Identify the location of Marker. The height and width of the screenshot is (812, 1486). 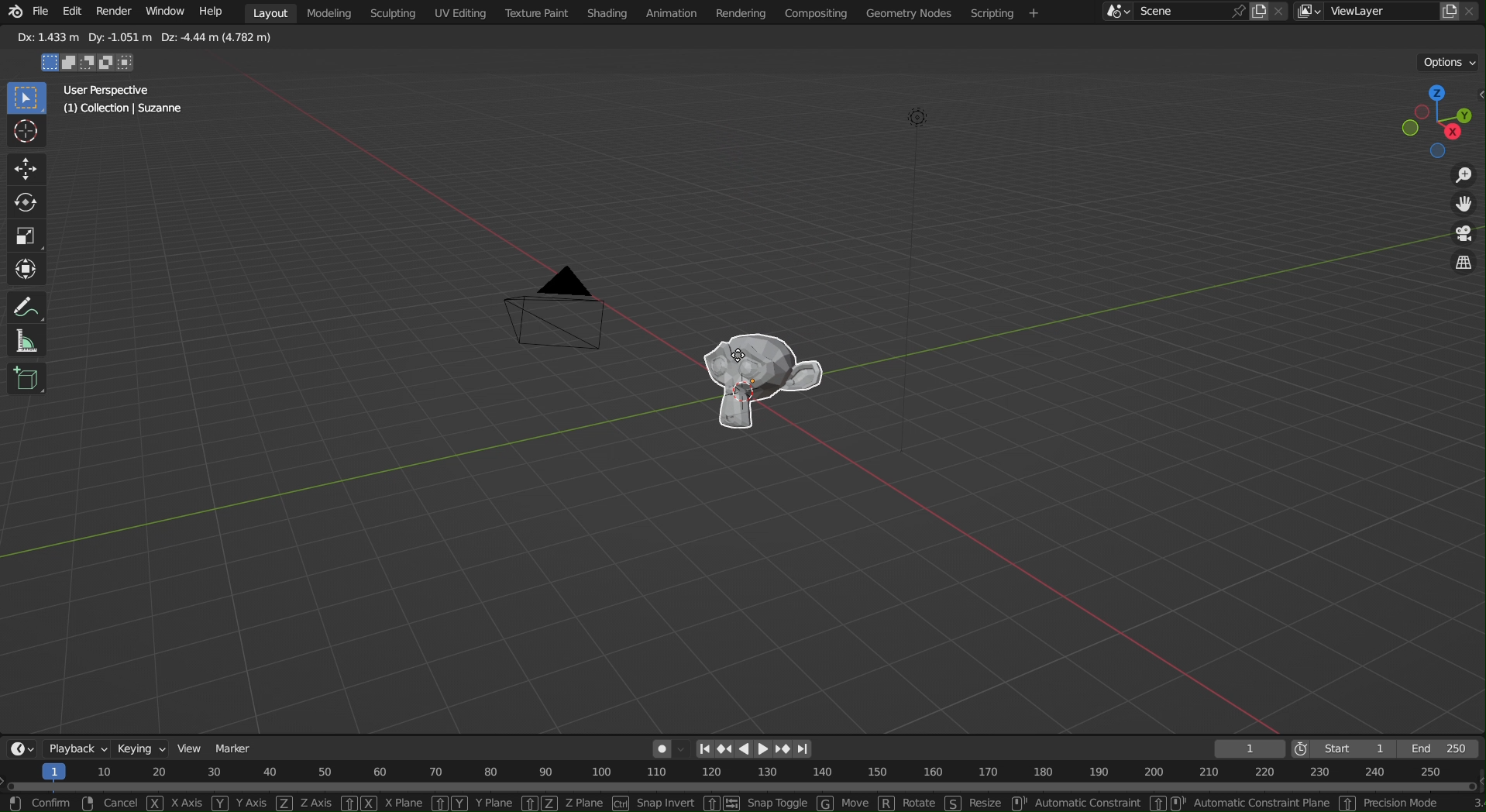
(235, 749).